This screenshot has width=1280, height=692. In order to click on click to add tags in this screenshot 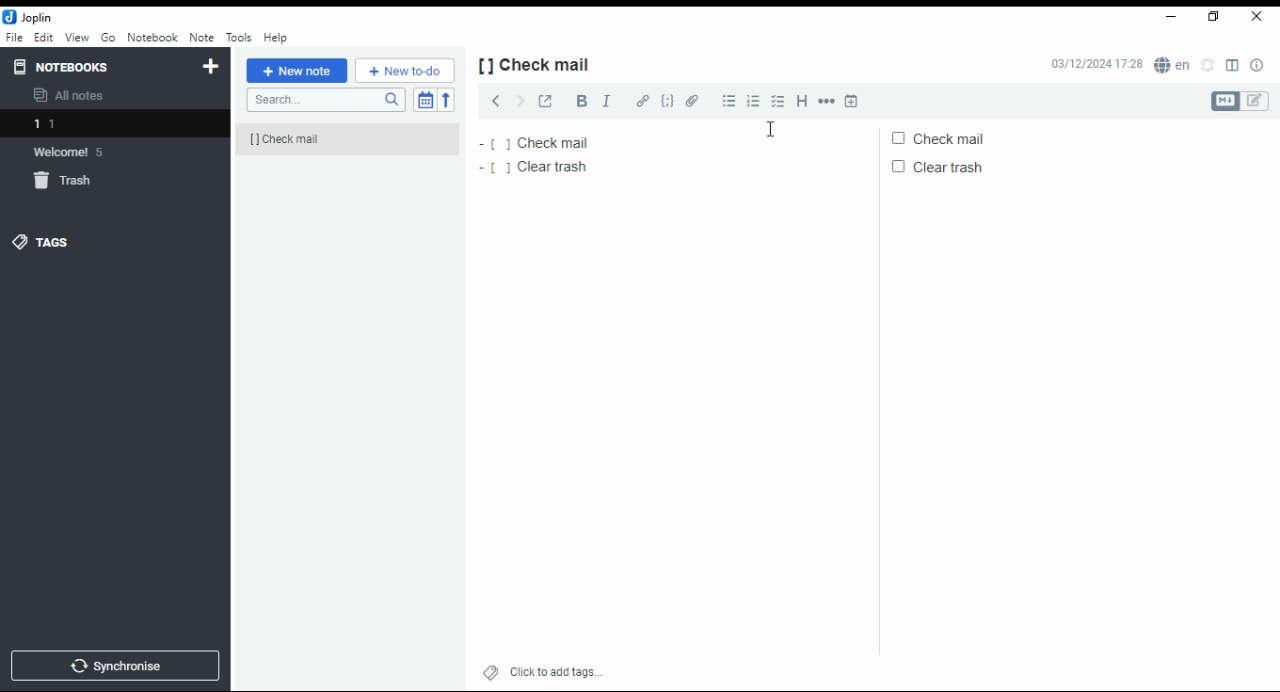, I will do `click(543, 674)`.